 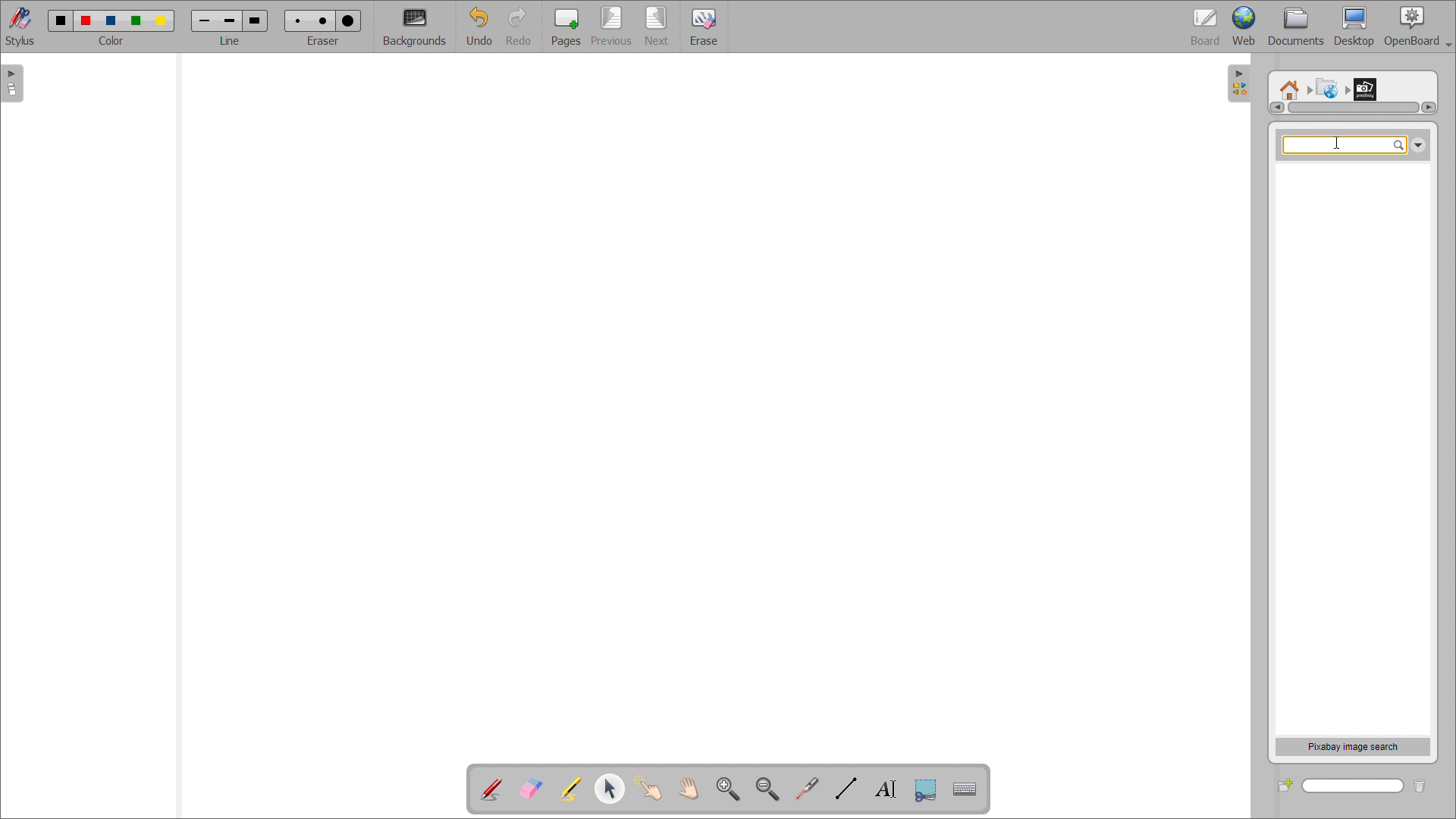 I want to click on write text, so click(x=886, y=789).